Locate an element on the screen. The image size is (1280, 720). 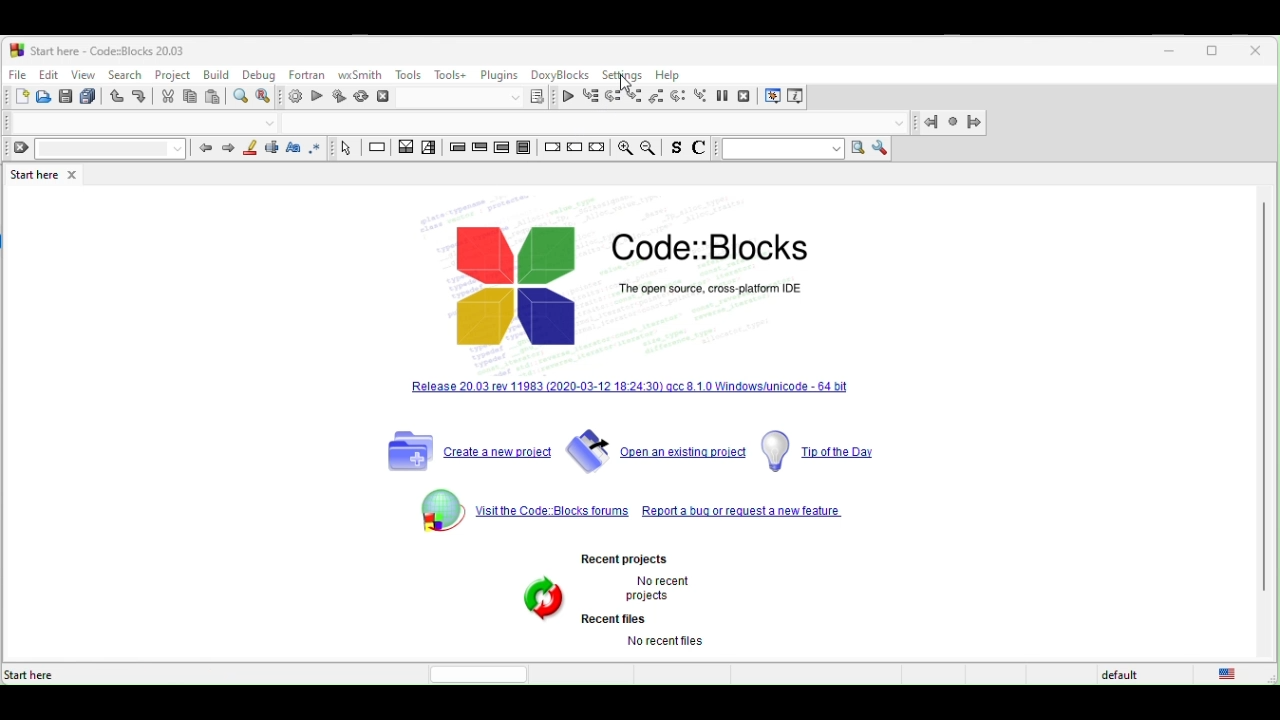
save everything is located at coordinates (90, 97).